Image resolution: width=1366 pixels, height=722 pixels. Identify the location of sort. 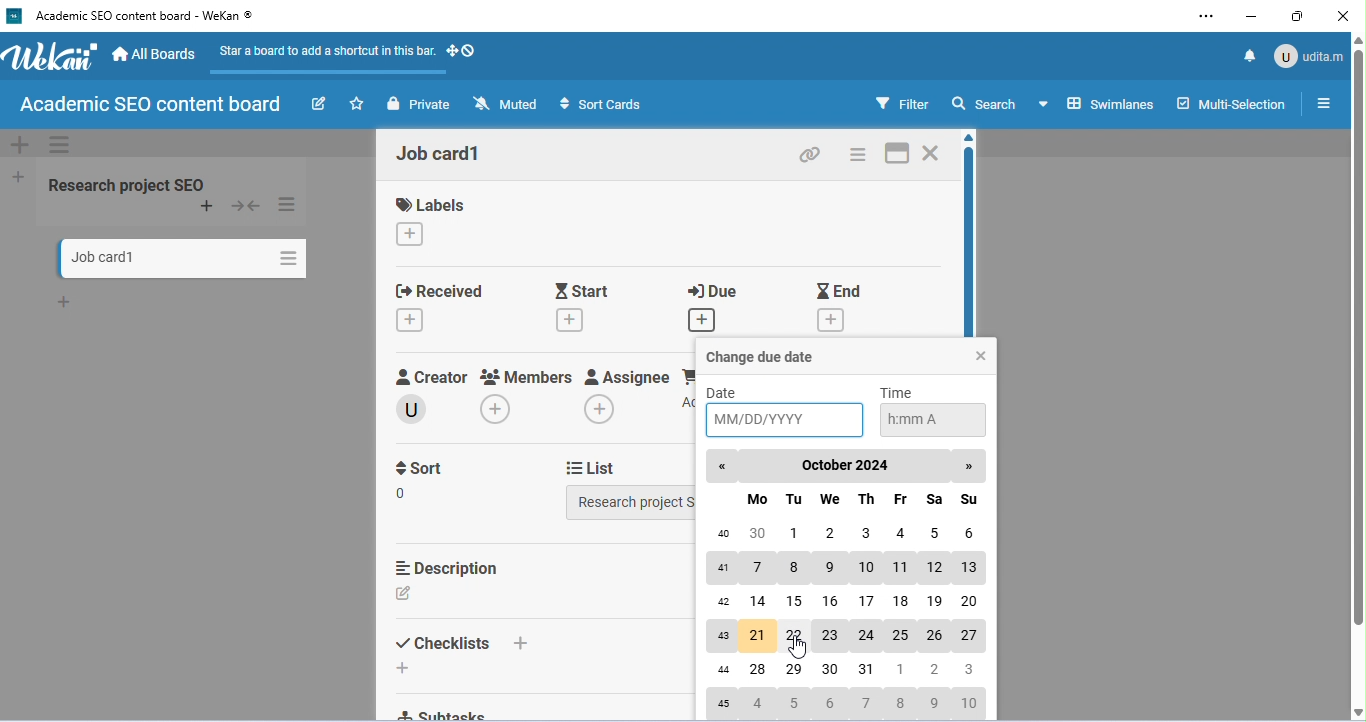
(425, 470).